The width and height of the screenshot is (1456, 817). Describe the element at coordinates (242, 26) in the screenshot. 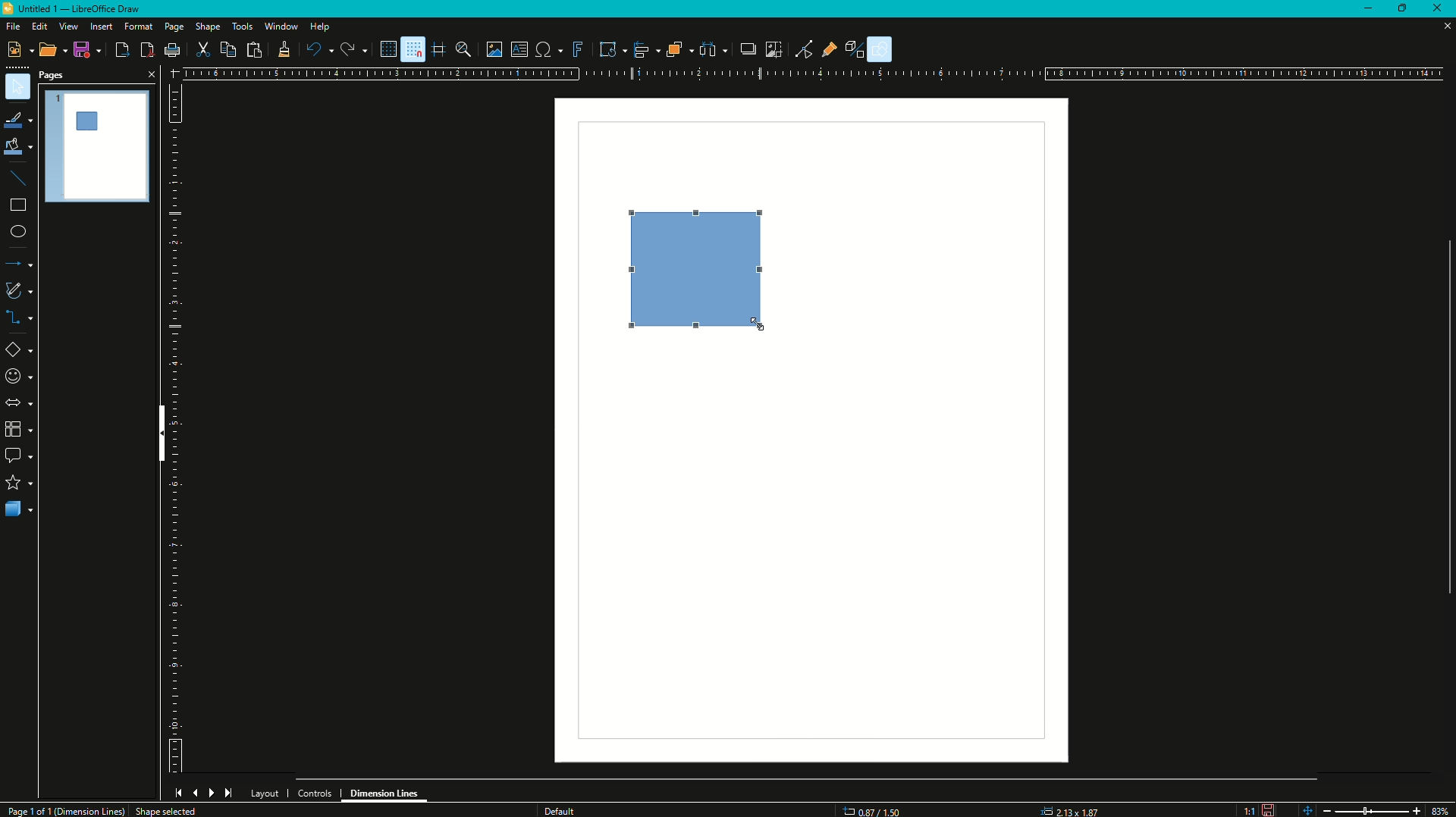

I see `Tools` at that location.